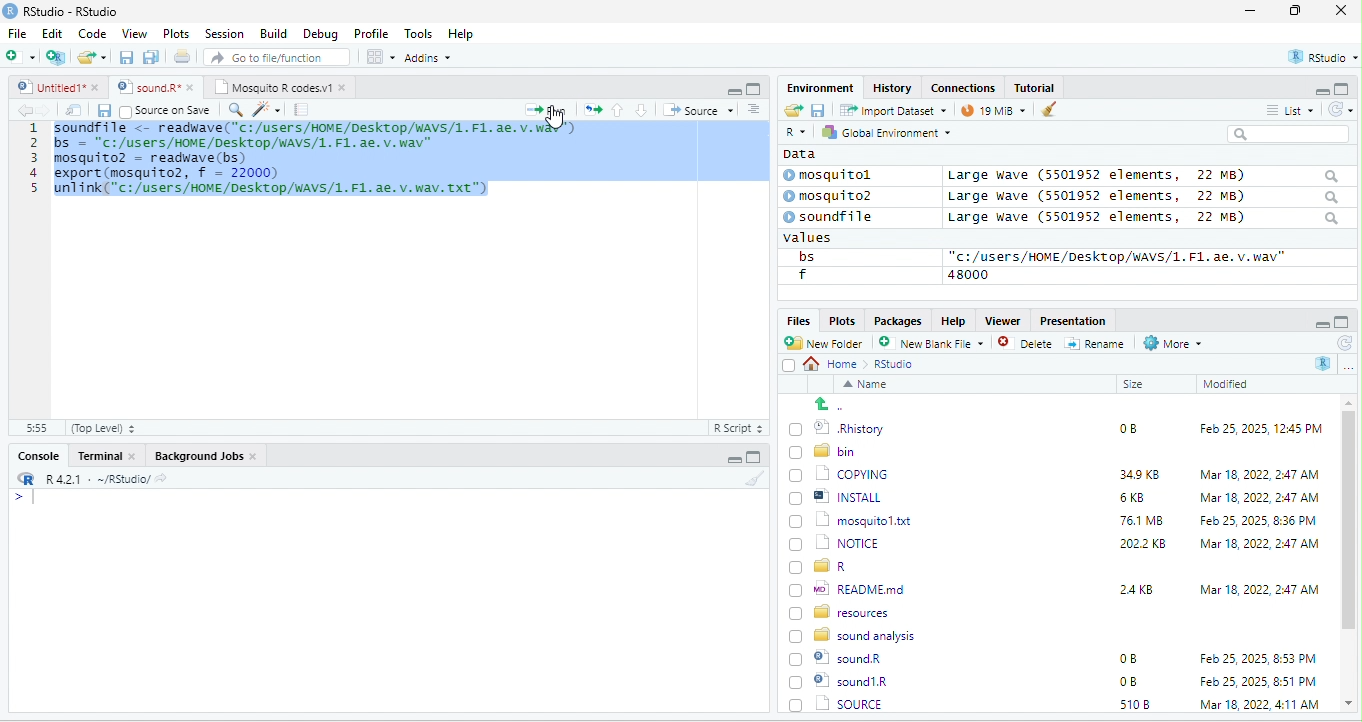  I want to click on RR R421 - ~/RStudio/, so click(87, 481).